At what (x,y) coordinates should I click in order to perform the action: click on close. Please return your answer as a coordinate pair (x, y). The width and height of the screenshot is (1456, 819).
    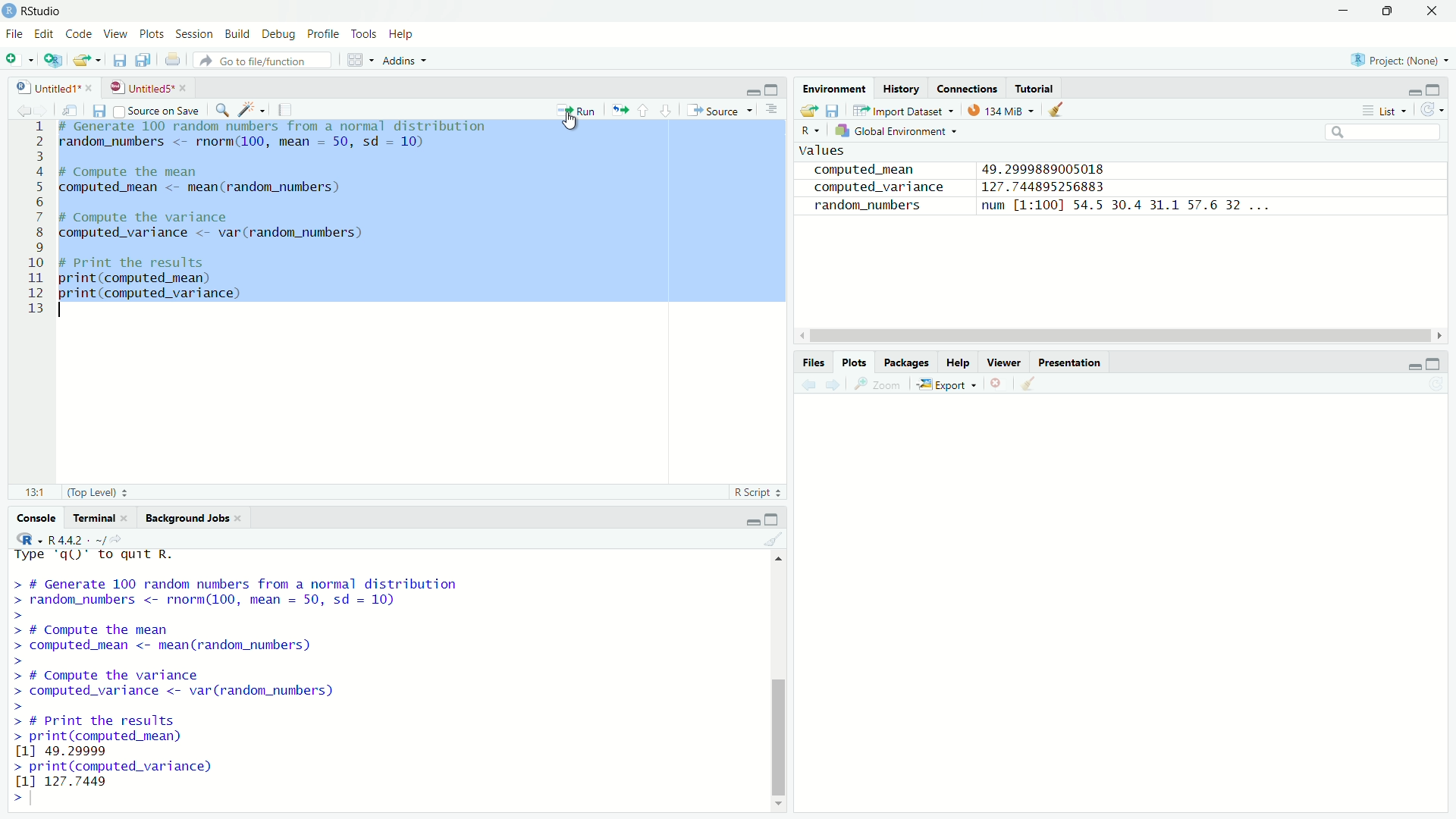
    Looking at the image, I should click on (185, 87).